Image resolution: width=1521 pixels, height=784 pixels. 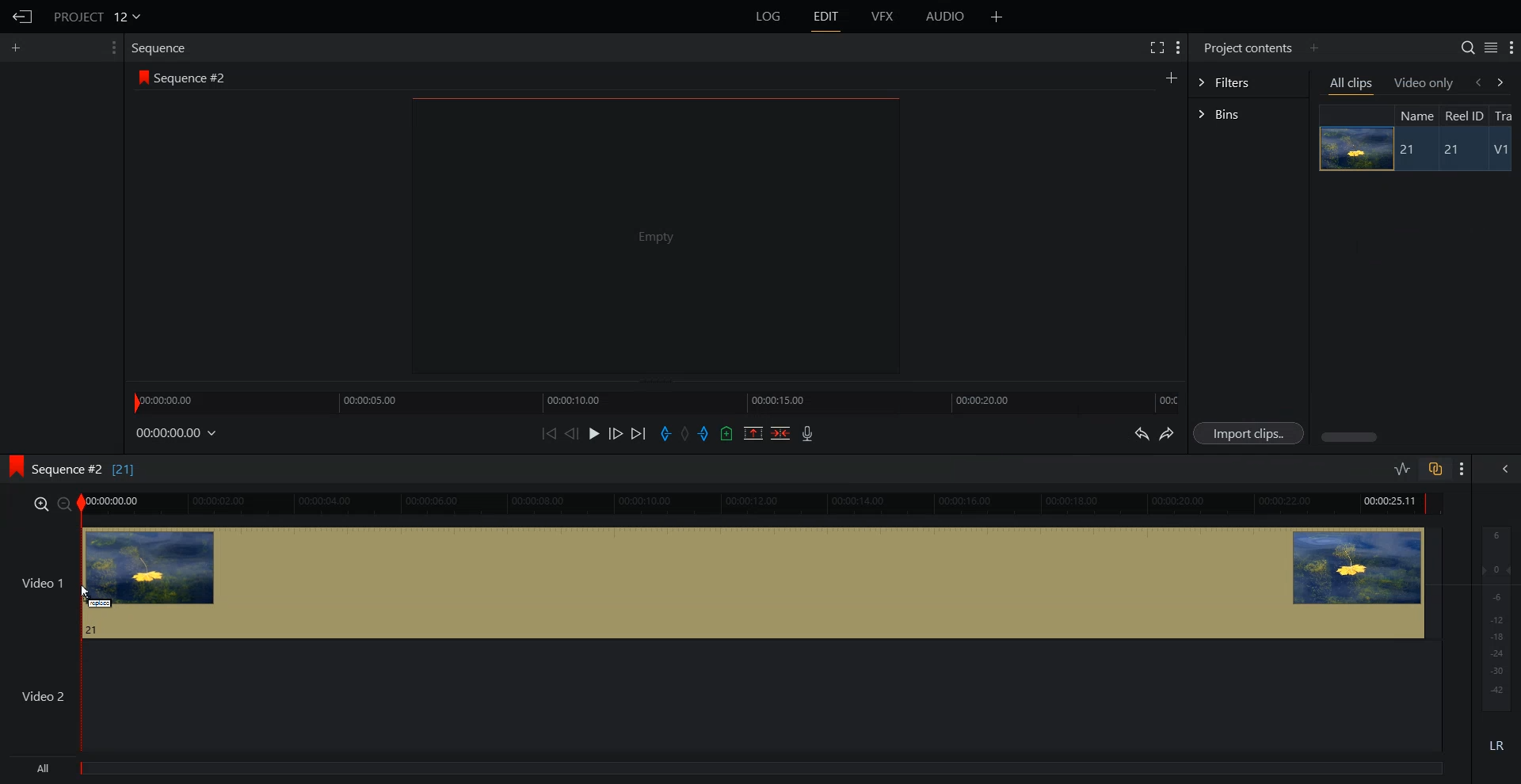 What do you see at coordinates (1179, 49) in the screenshot?
I see `Show Setting Menu` at bounding box center [1179, 49].